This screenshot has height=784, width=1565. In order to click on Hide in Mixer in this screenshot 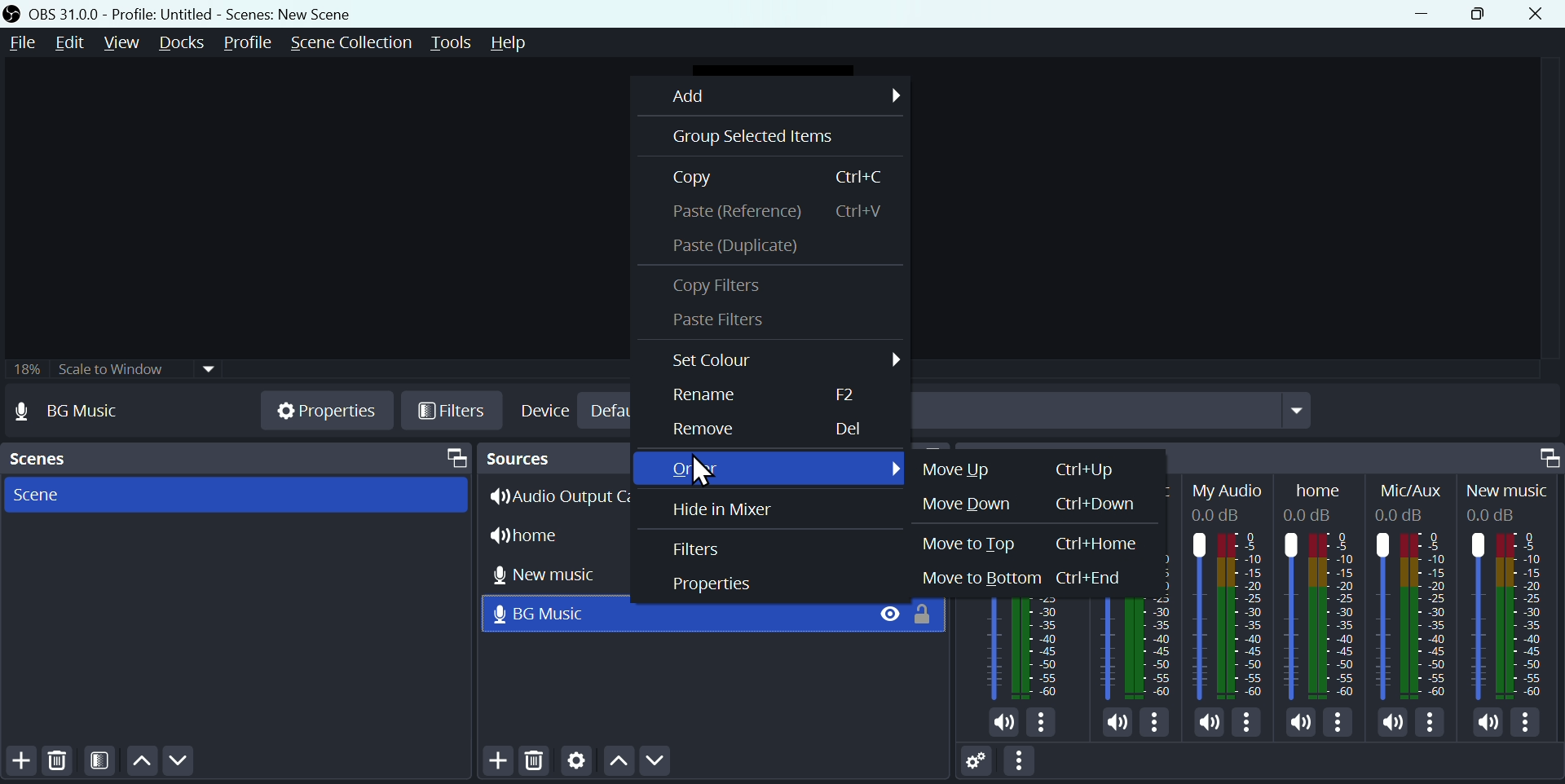, I will do `click(722, 508)`.